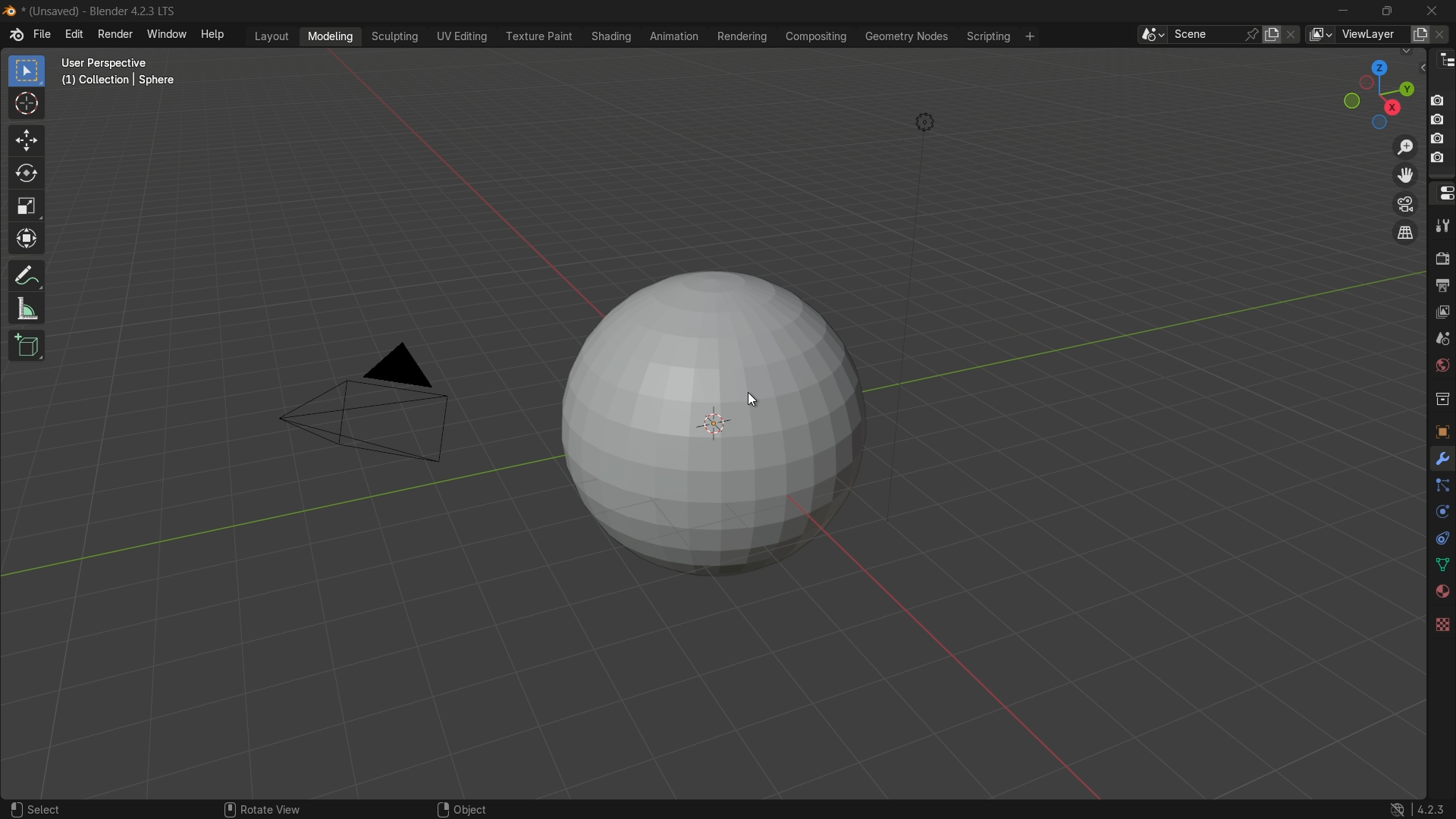 The image size is (1456, 819). Describe the element at coordinates (760, 397) in the screenshot. I see `cursor` at that location.